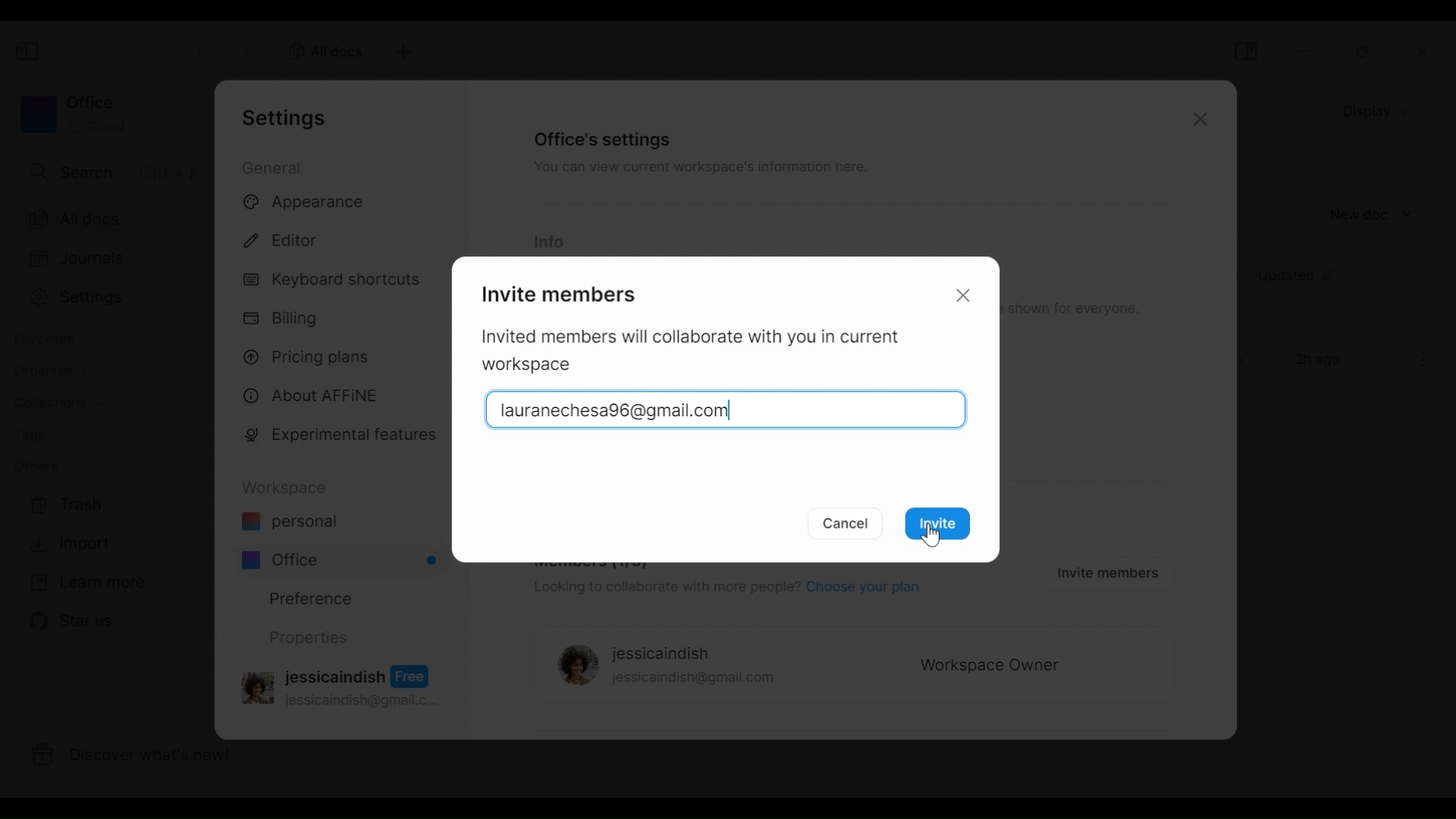  I want to click on jessicaindish@gmail.com, so click(694, 679).